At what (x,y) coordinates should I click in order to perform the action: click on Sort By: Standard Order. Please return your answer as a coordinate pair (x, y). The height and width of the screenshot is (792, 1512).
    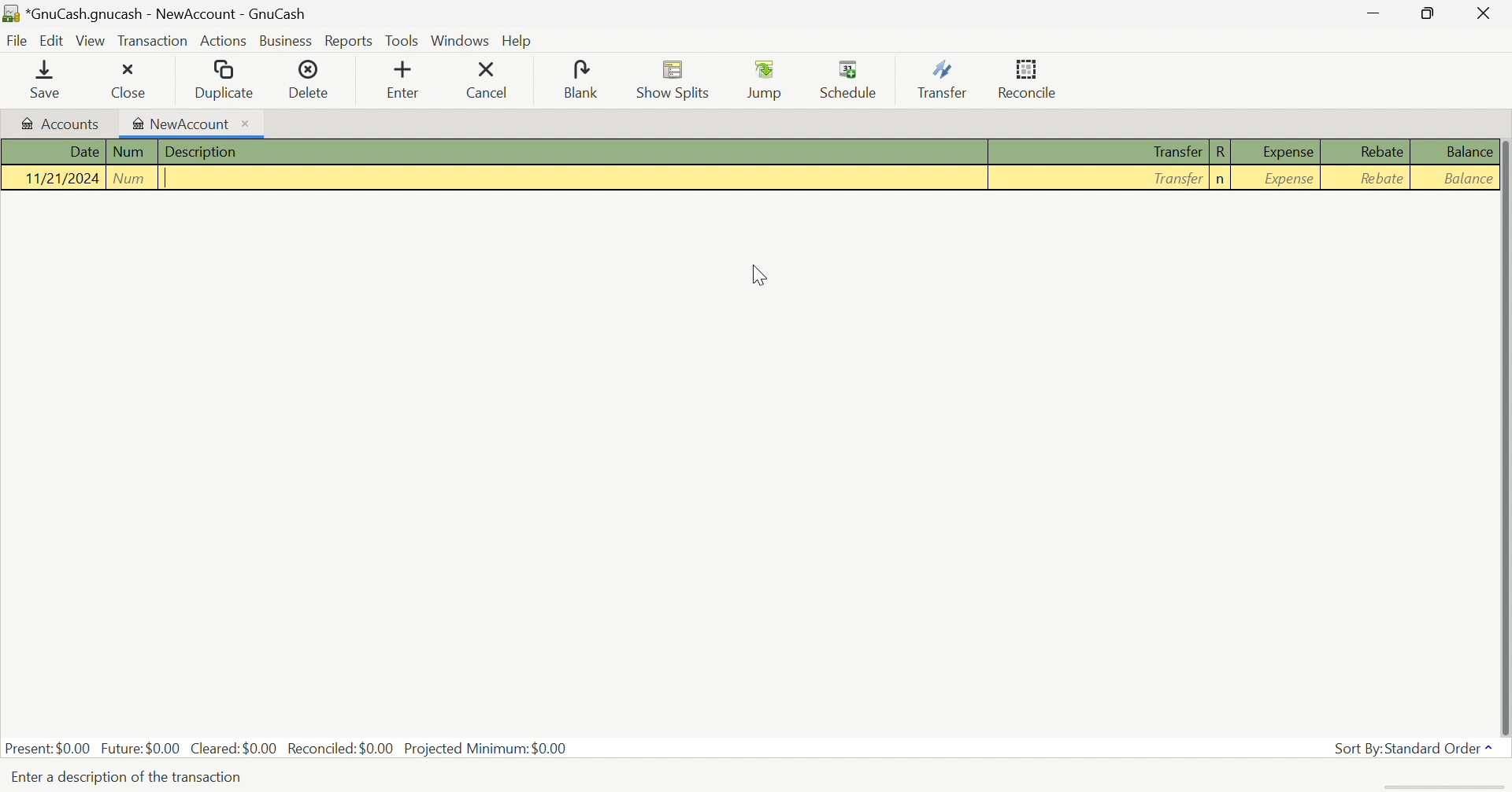
    Looking at the image, I should click on (1412, 748).